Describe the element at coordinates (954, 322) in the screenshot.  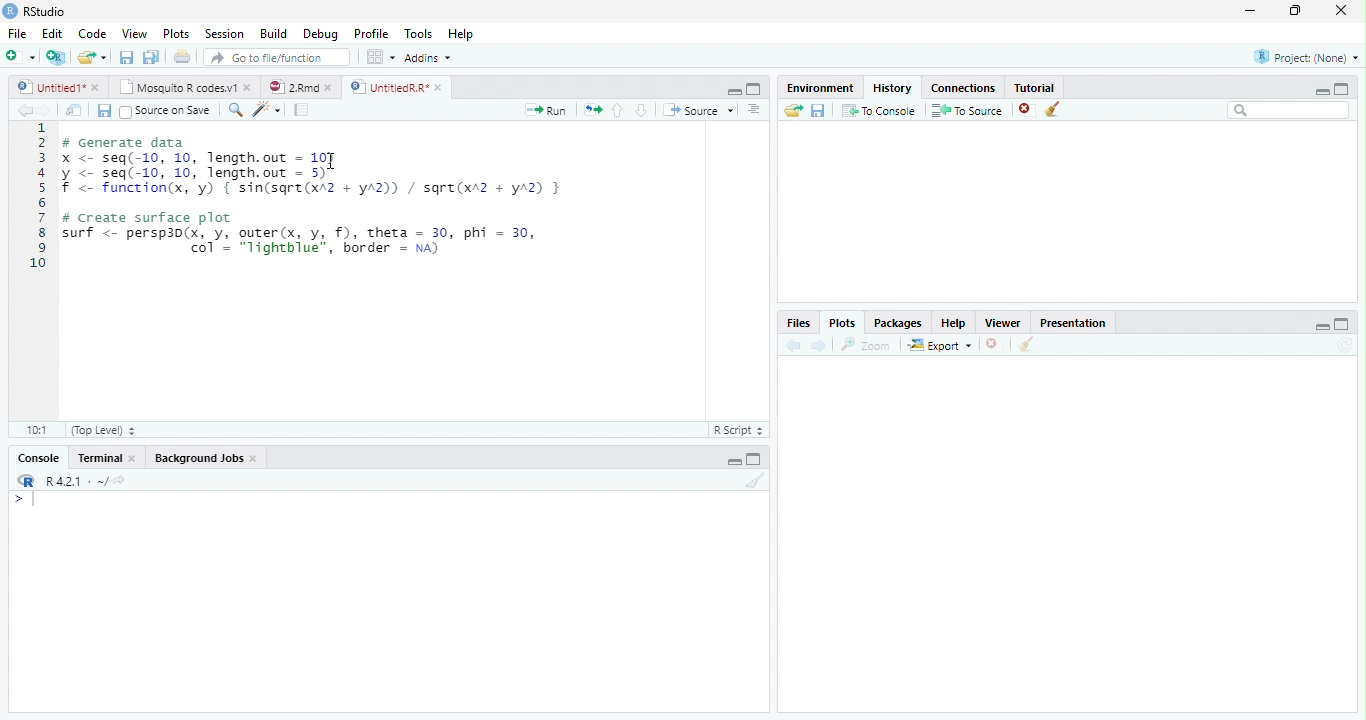
I see `Help` at that location.